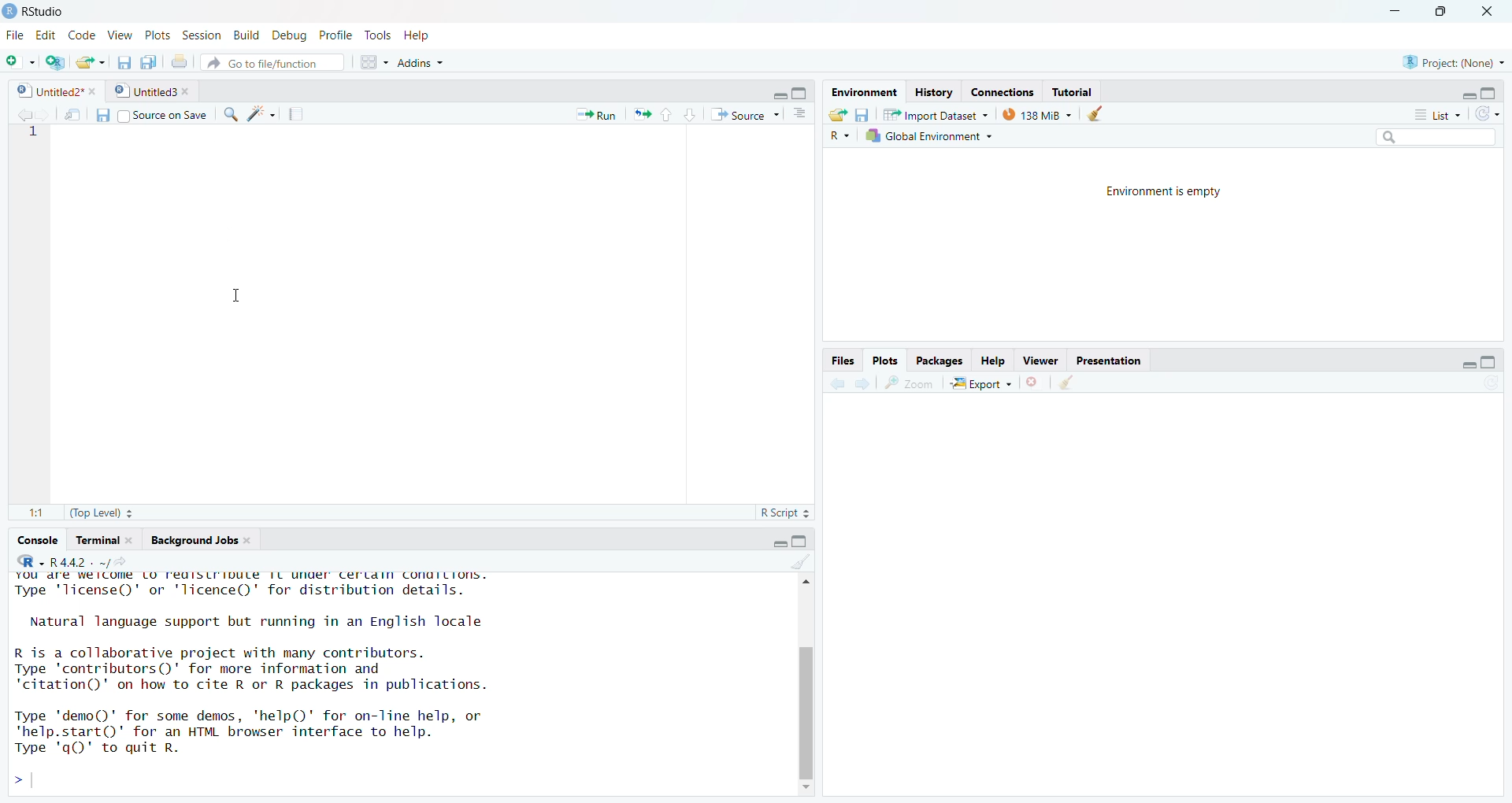 The height and width of the screenshot is (803, 1512). What do you see at coordinates (228, 113) in the screenshot?
I see `Find replace` at bounding box center [228, 113].